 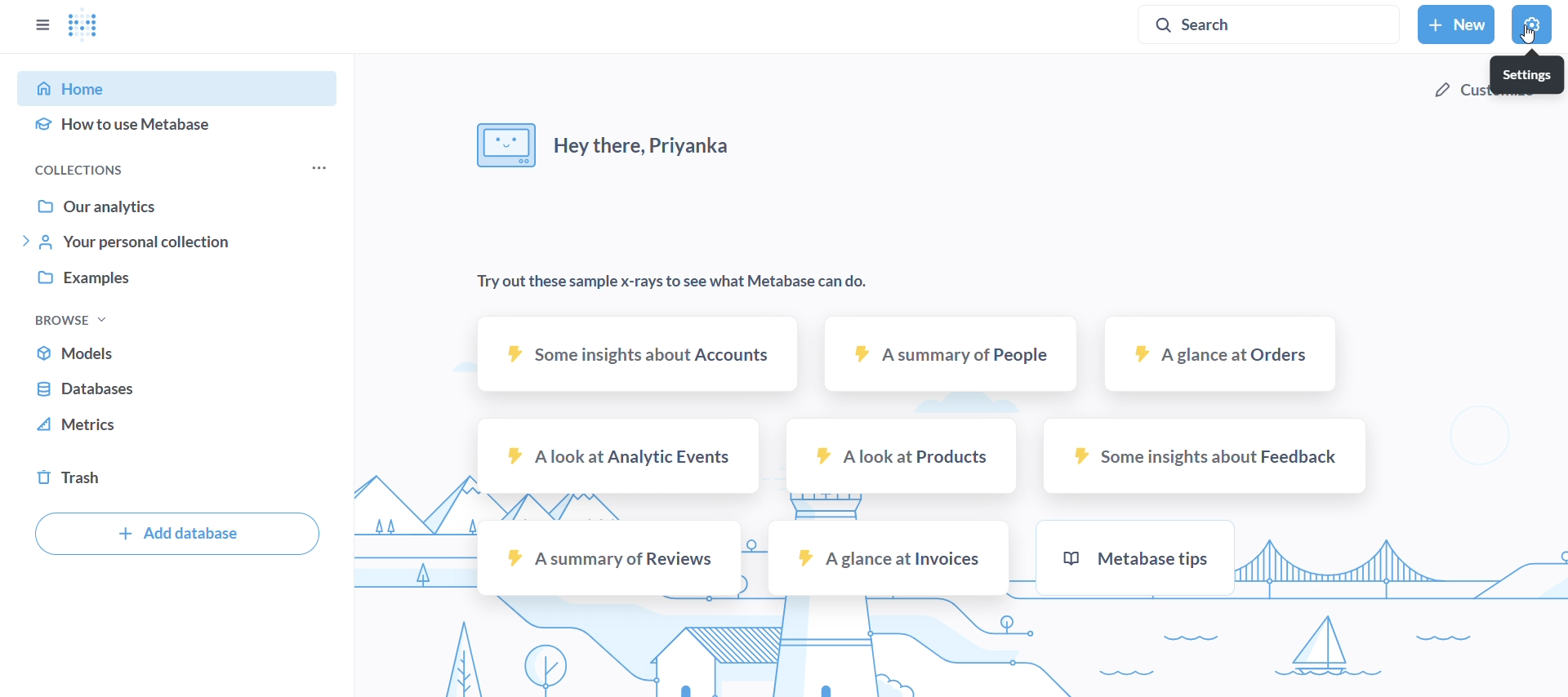 I want to click on settings, so click(x=1526, y=76).